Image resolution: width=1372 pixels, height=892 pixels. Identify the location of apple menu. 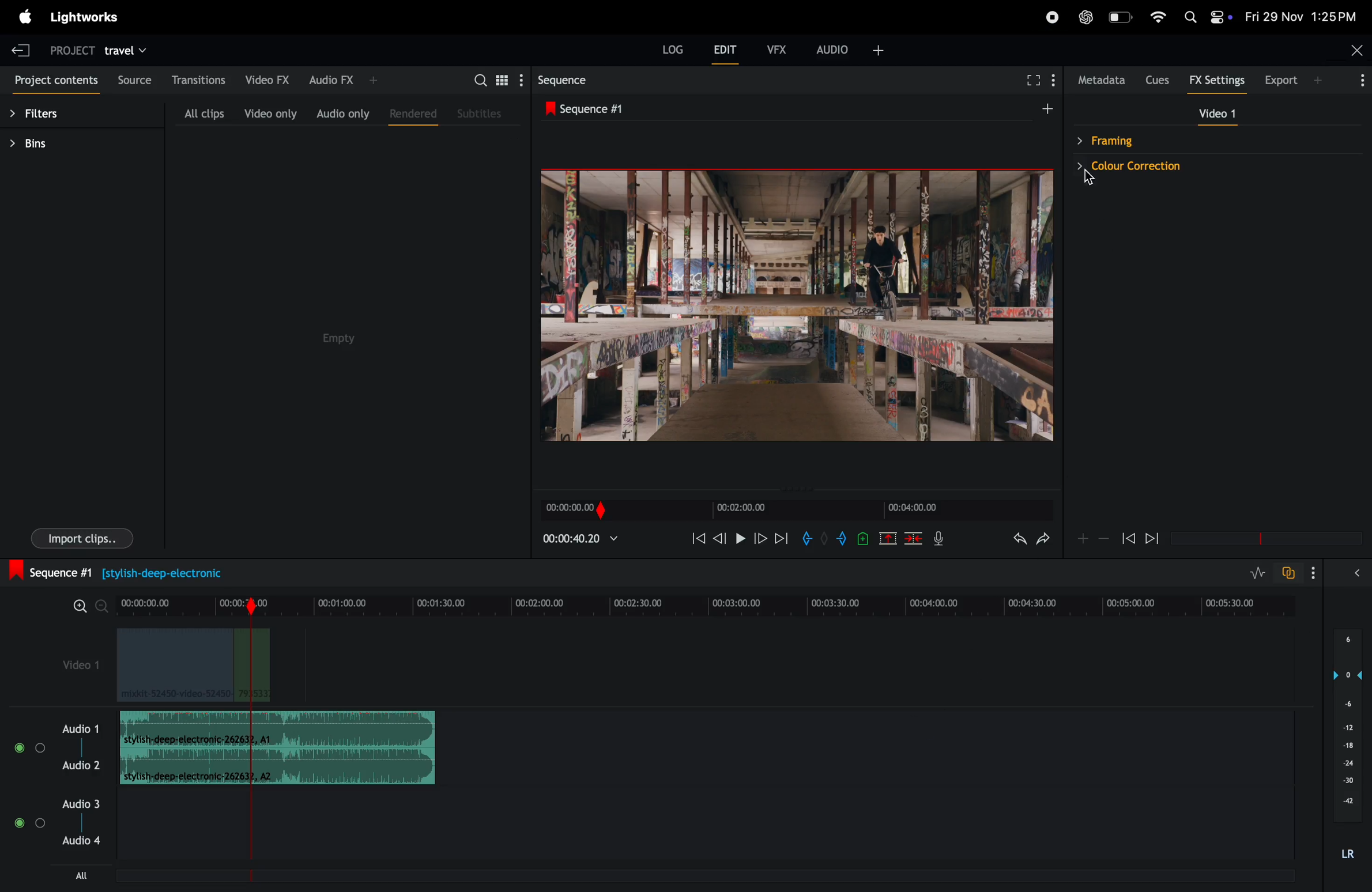
(24, 18).